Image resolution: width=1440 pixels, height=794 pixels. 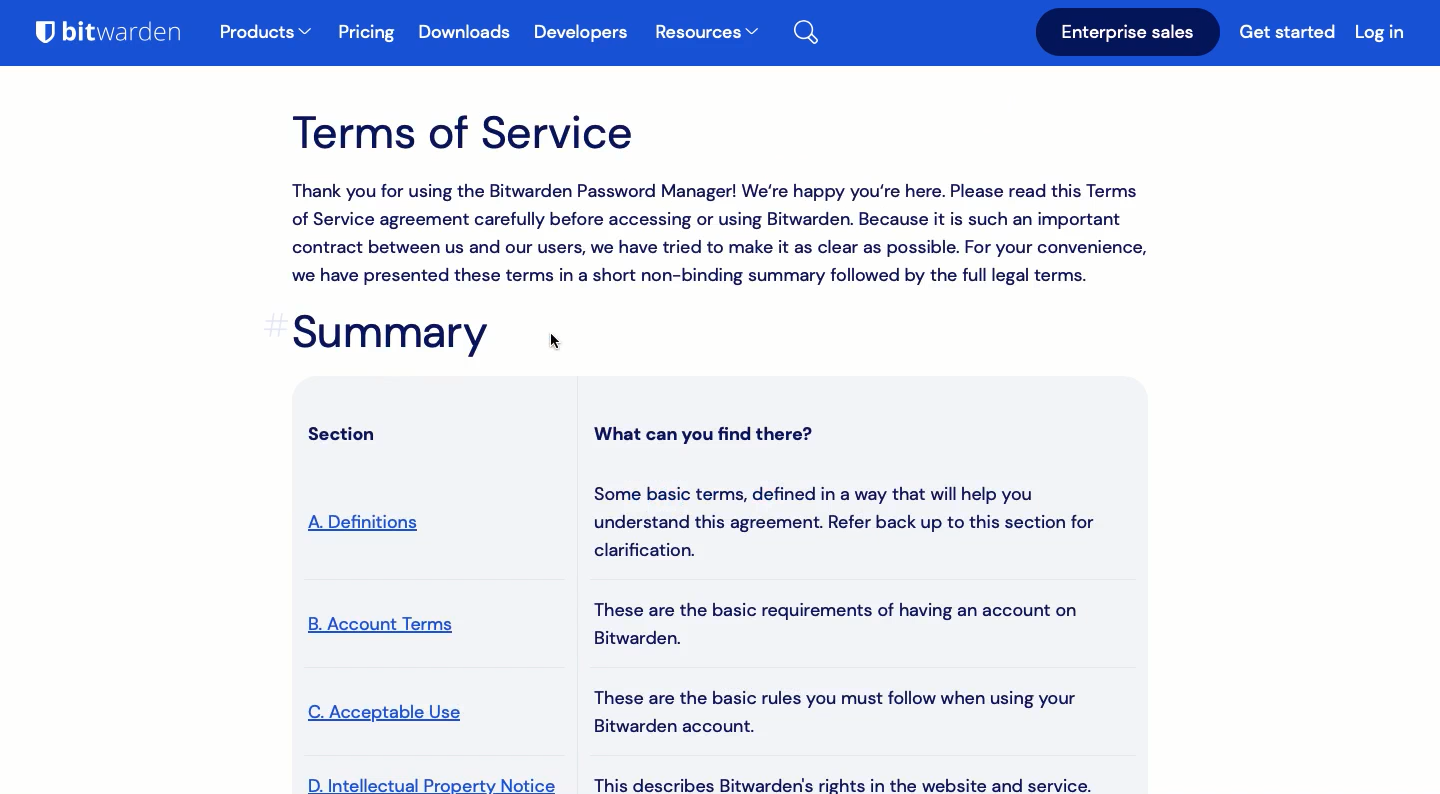 I want to click on definitions, so click(x=367, y=521).